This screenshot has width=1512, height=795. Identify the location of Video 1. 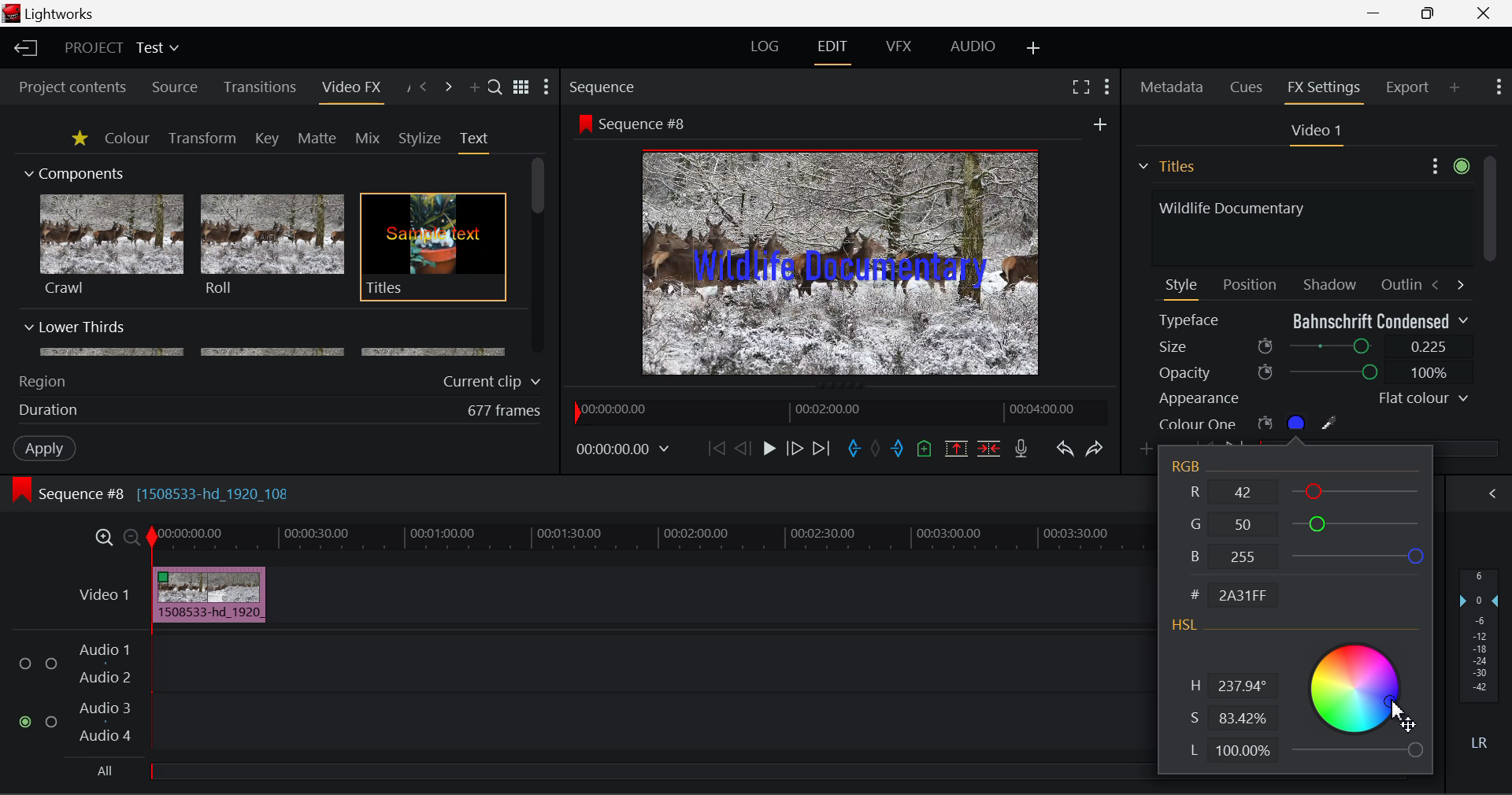
(106, 594).